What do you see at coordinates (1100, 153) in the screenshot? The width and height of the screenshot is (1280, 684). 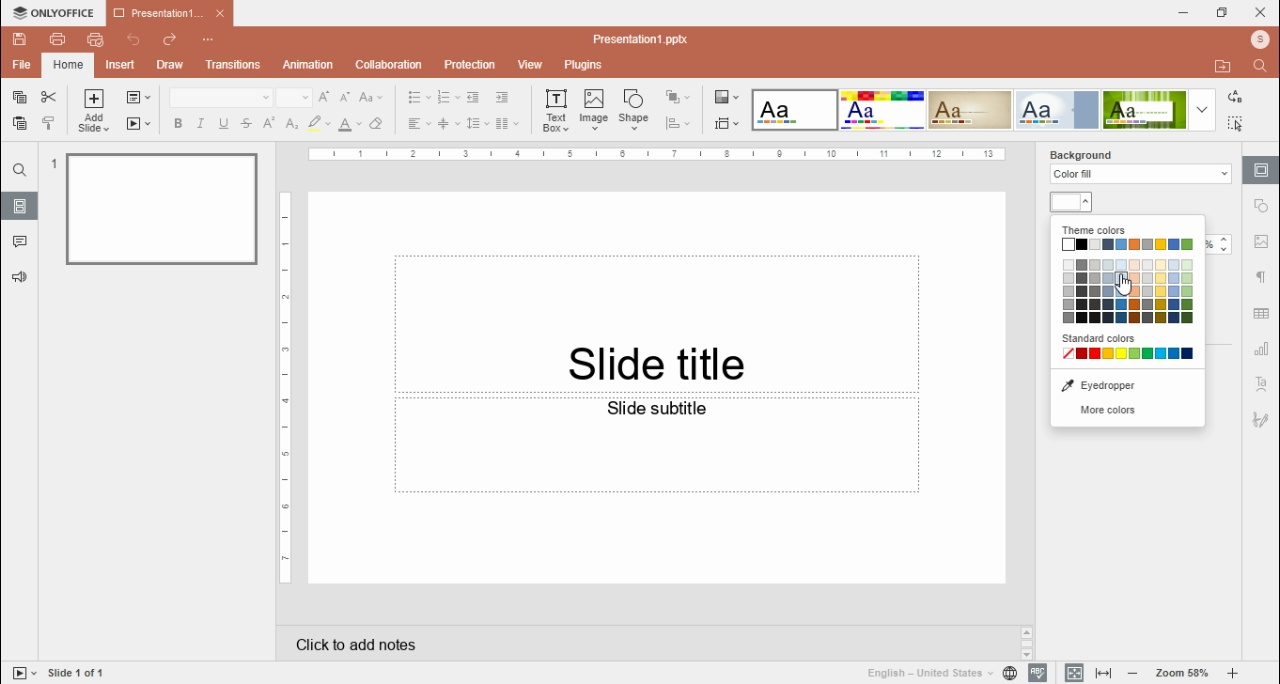 I see `Background` at bounding box center [1100, 153].